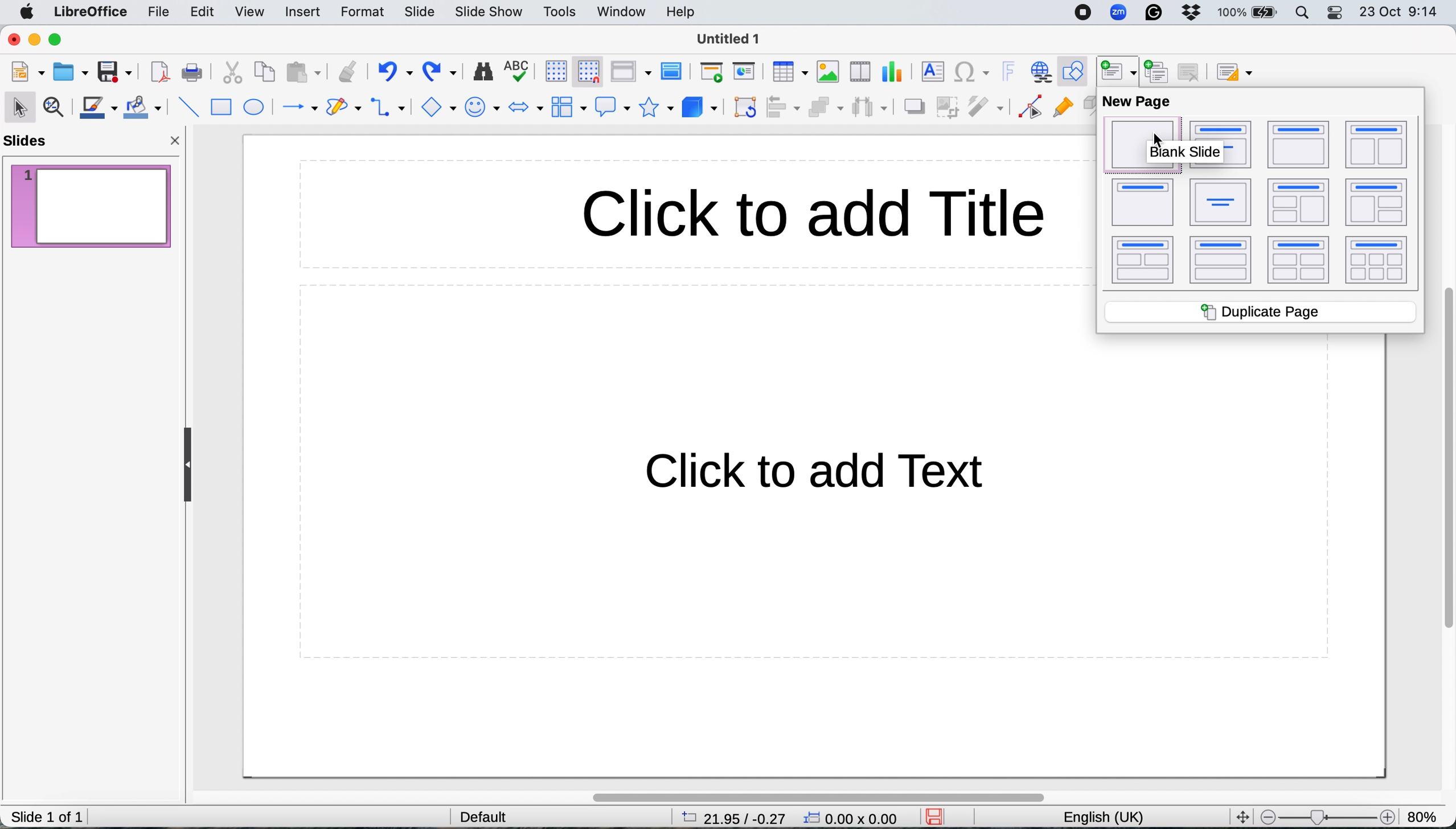 The image size is (1456, 829). What do you see at coordinates (183, 466) in the screenshot?
I see `collapse` at bounding box center [183, 466].